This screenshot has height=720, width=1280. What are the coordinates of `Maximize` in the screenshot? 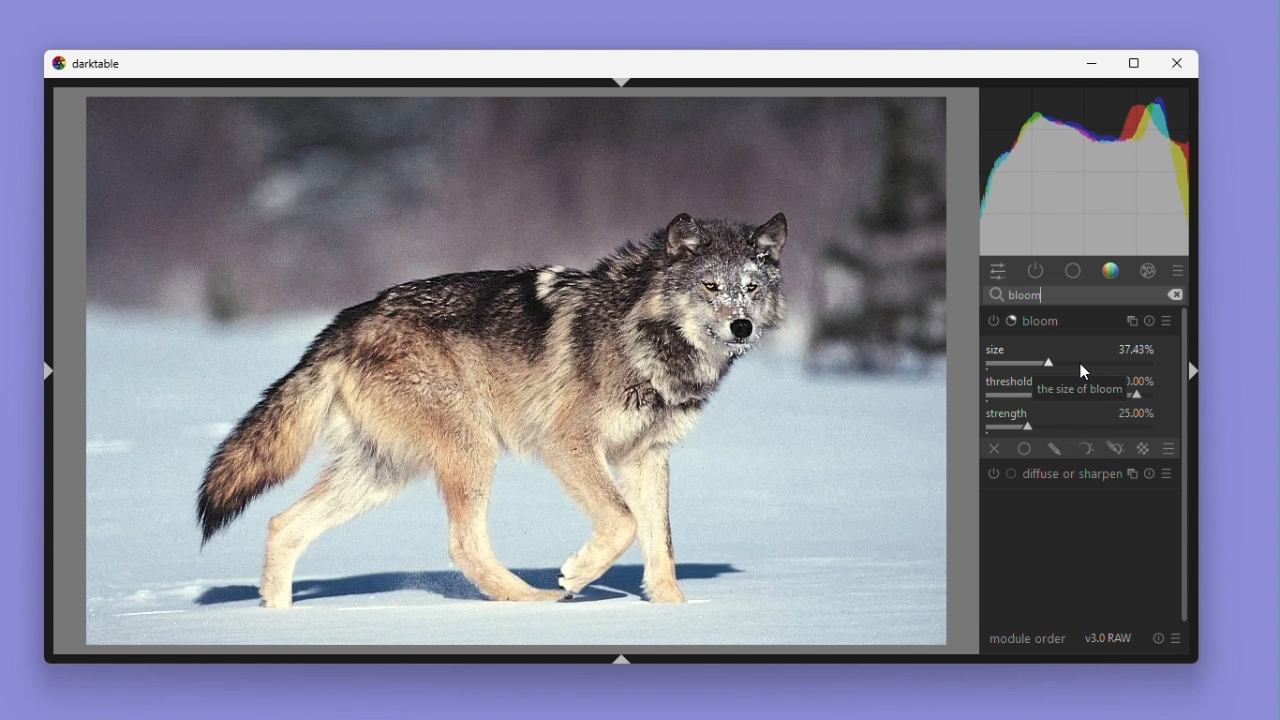 It's located at (1130, 64).